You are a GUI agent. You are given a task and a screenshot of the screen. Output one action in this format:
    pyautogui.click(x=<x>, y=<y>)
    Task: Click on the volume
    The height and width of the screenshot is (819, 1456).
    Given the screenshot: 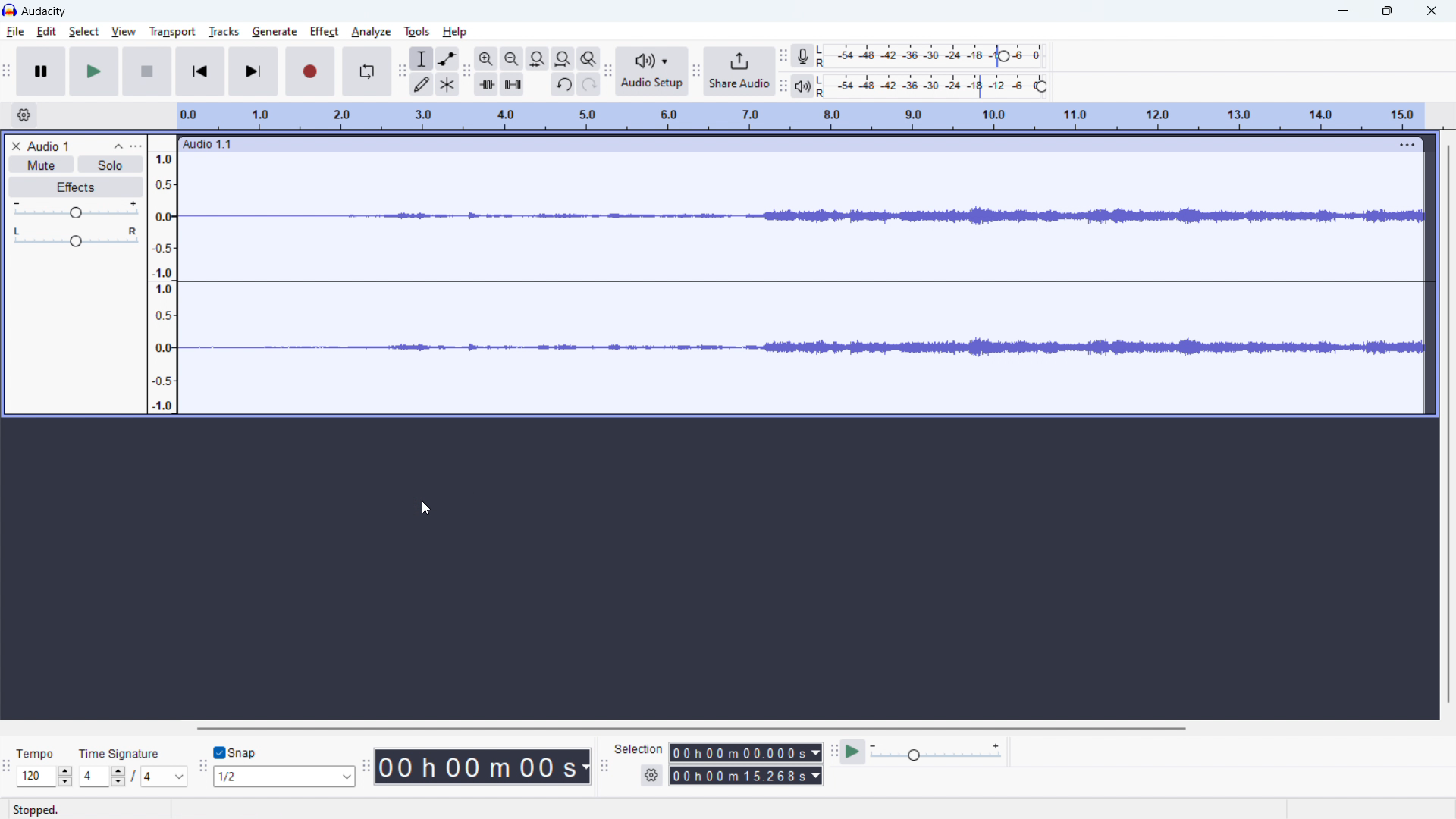 What is the action you would take?
    pyautogui.click(x=76, y=209)
    